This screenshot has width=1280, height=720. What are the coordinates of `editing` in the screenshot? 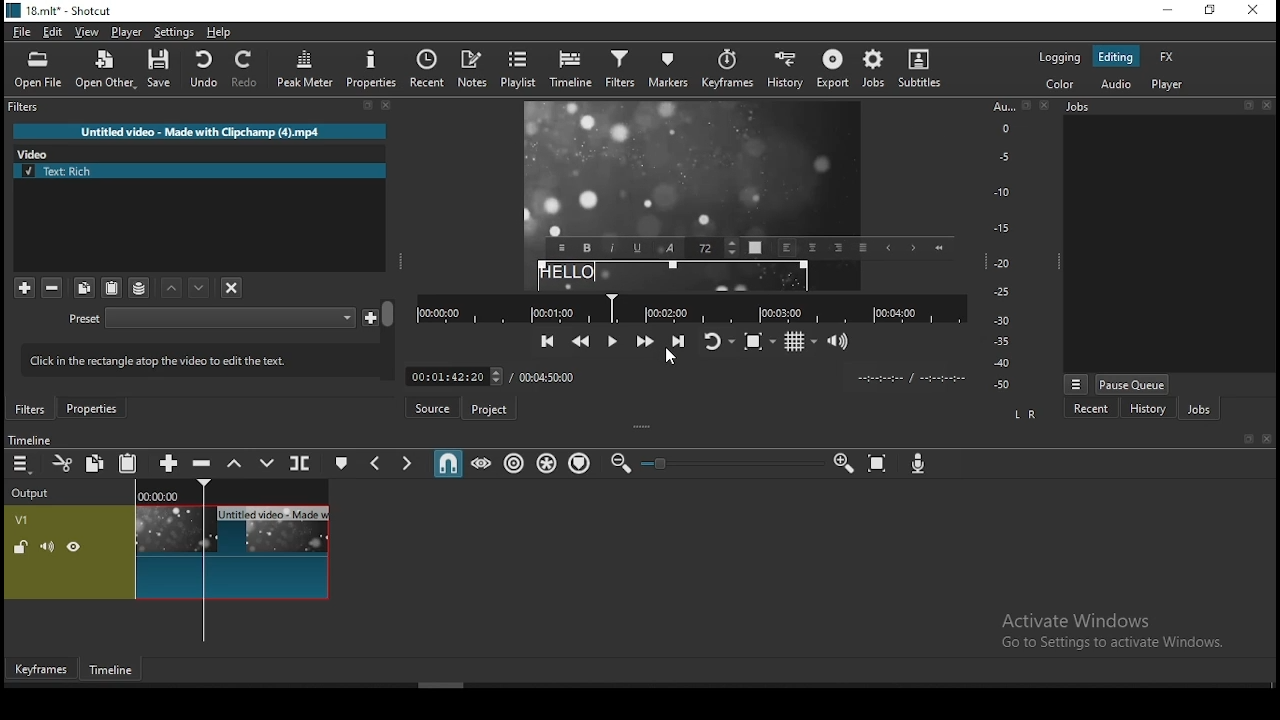 It's located at (1117, 56).